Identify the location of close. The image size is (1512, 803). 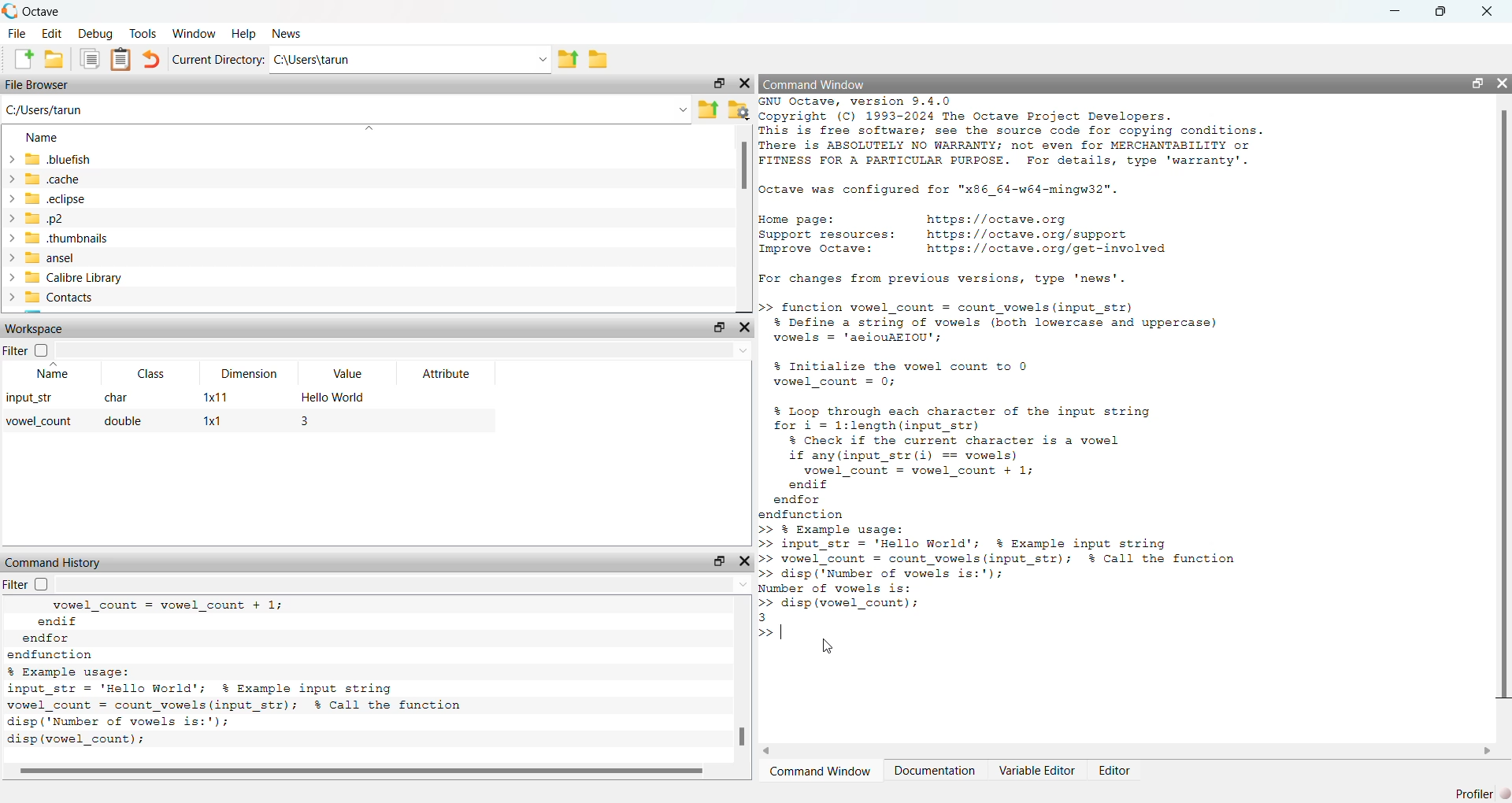
(1486, 11).